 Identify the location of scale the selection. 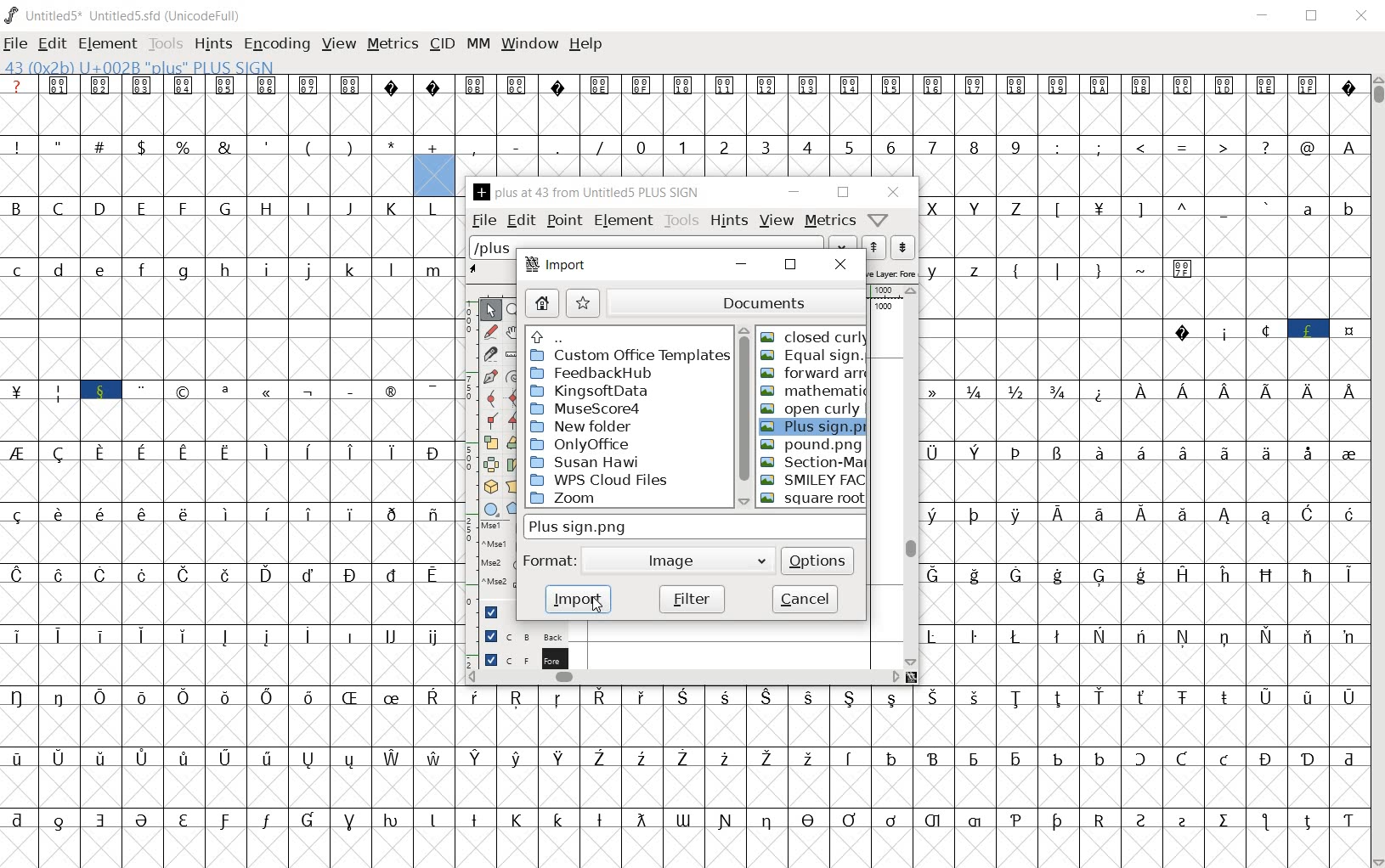
(490, 442).